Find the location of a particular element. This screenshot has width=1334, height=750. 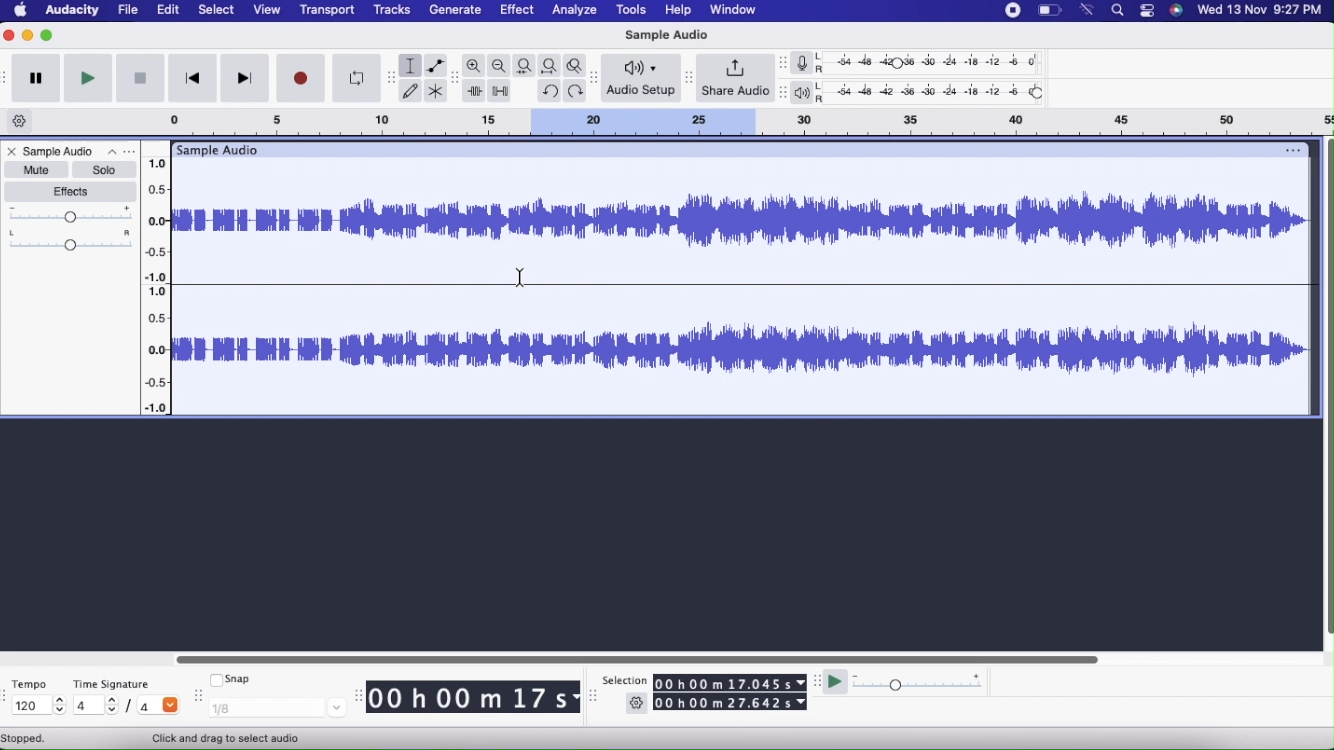

Playback level is located at coordinates (936, 93).